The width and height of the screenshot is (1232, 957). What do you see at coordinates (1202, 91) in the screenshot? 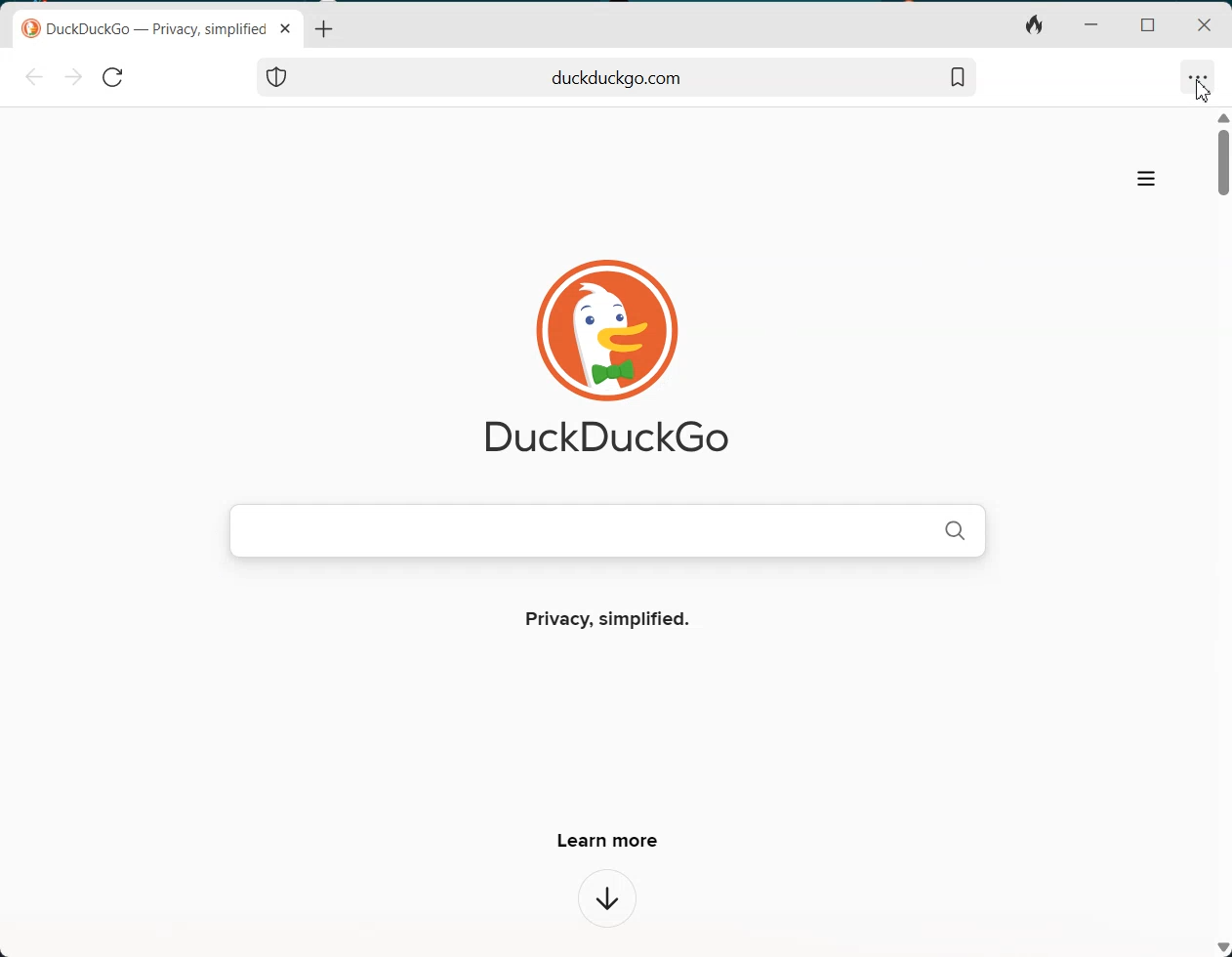
I see `Cursor` at bounding box center [1202, 91].